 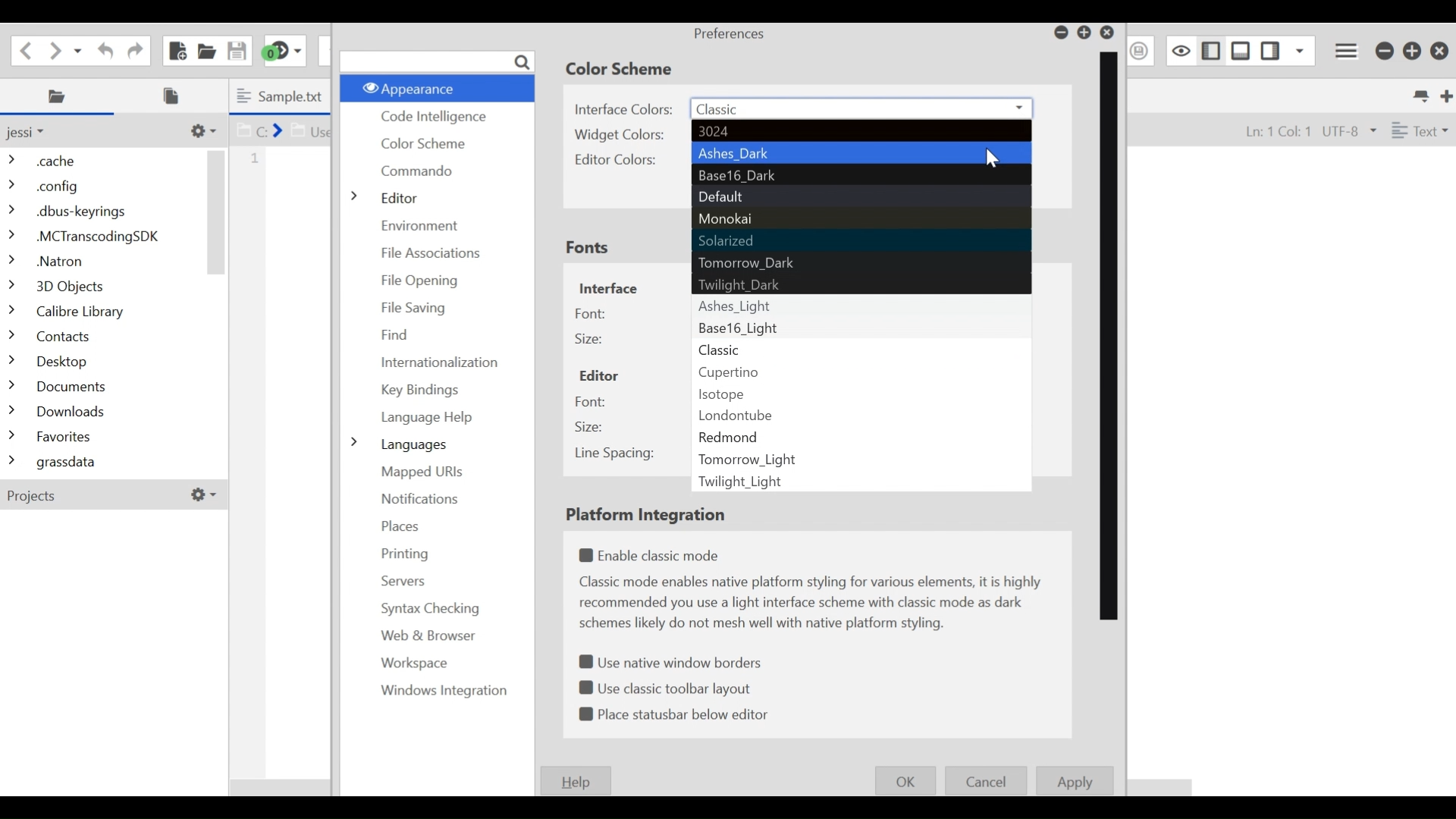 What do you see at coordinates (425, 143) in the screenshot?
I see `Color Scheme` at bounding box center [425, 143].